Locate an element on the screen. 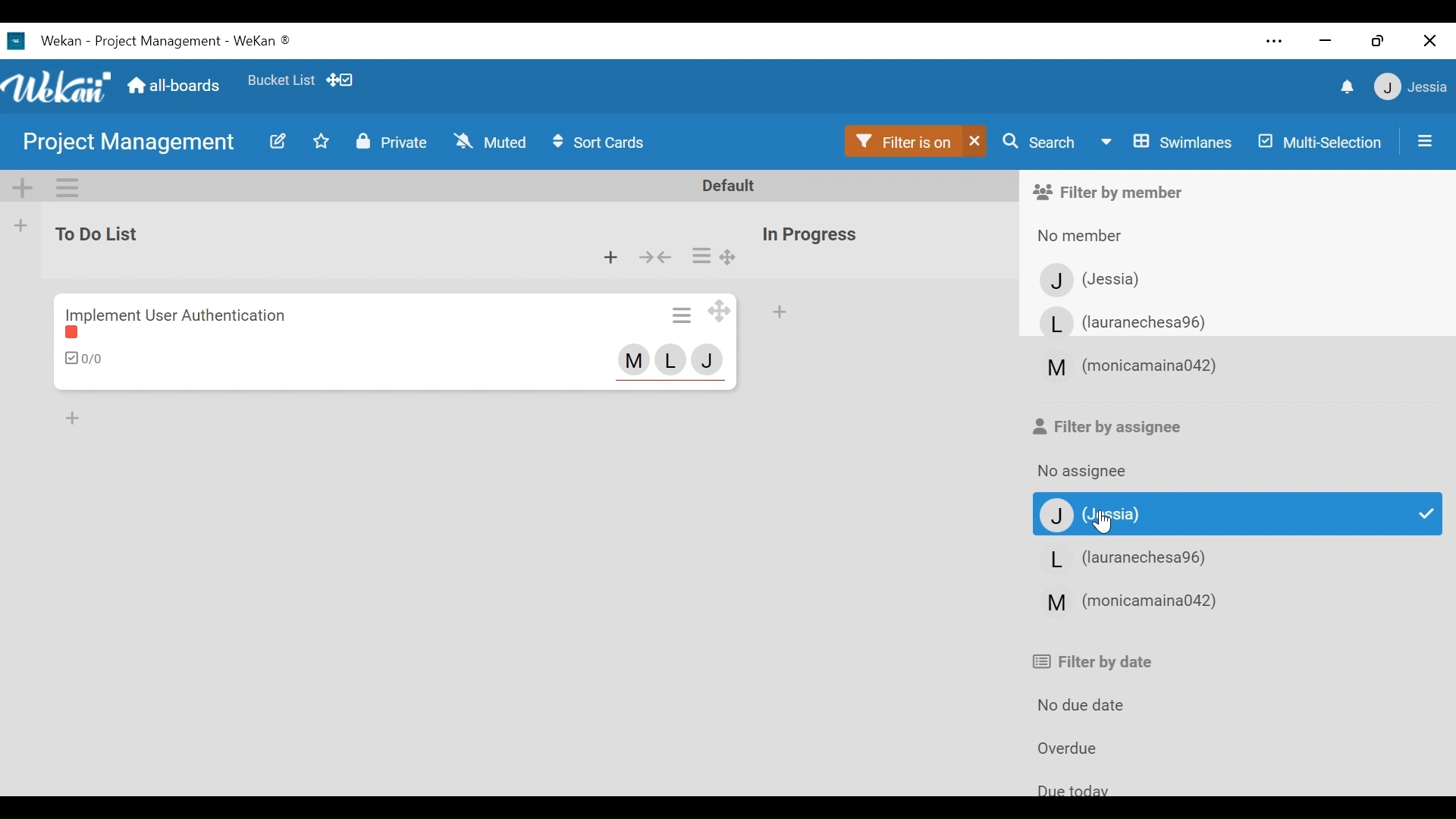  Close is located at coordinates (1429, 39).